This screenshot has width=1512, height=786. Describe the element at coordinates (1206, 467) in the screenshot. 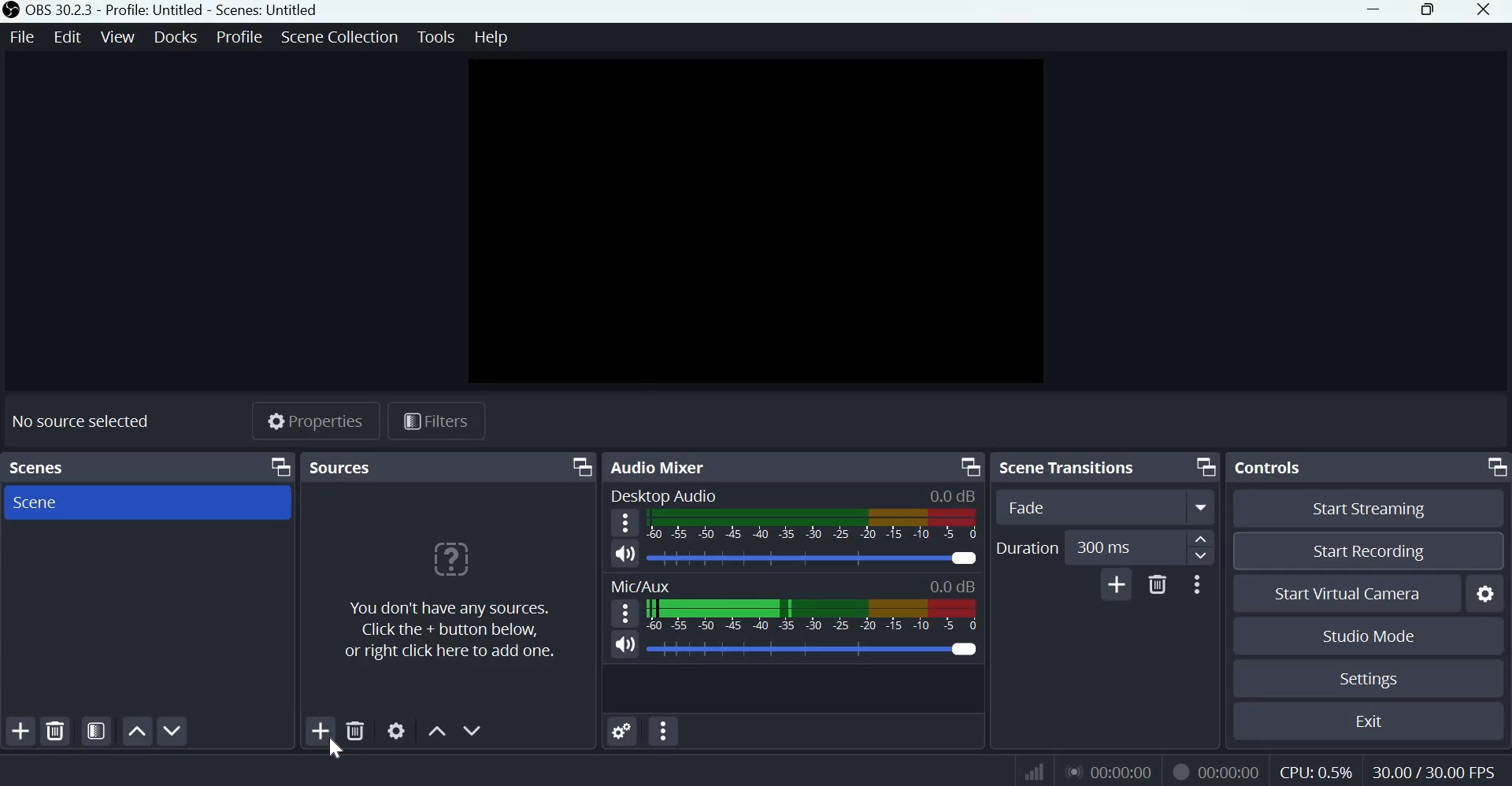

I see `Dock Options icon` at that location.